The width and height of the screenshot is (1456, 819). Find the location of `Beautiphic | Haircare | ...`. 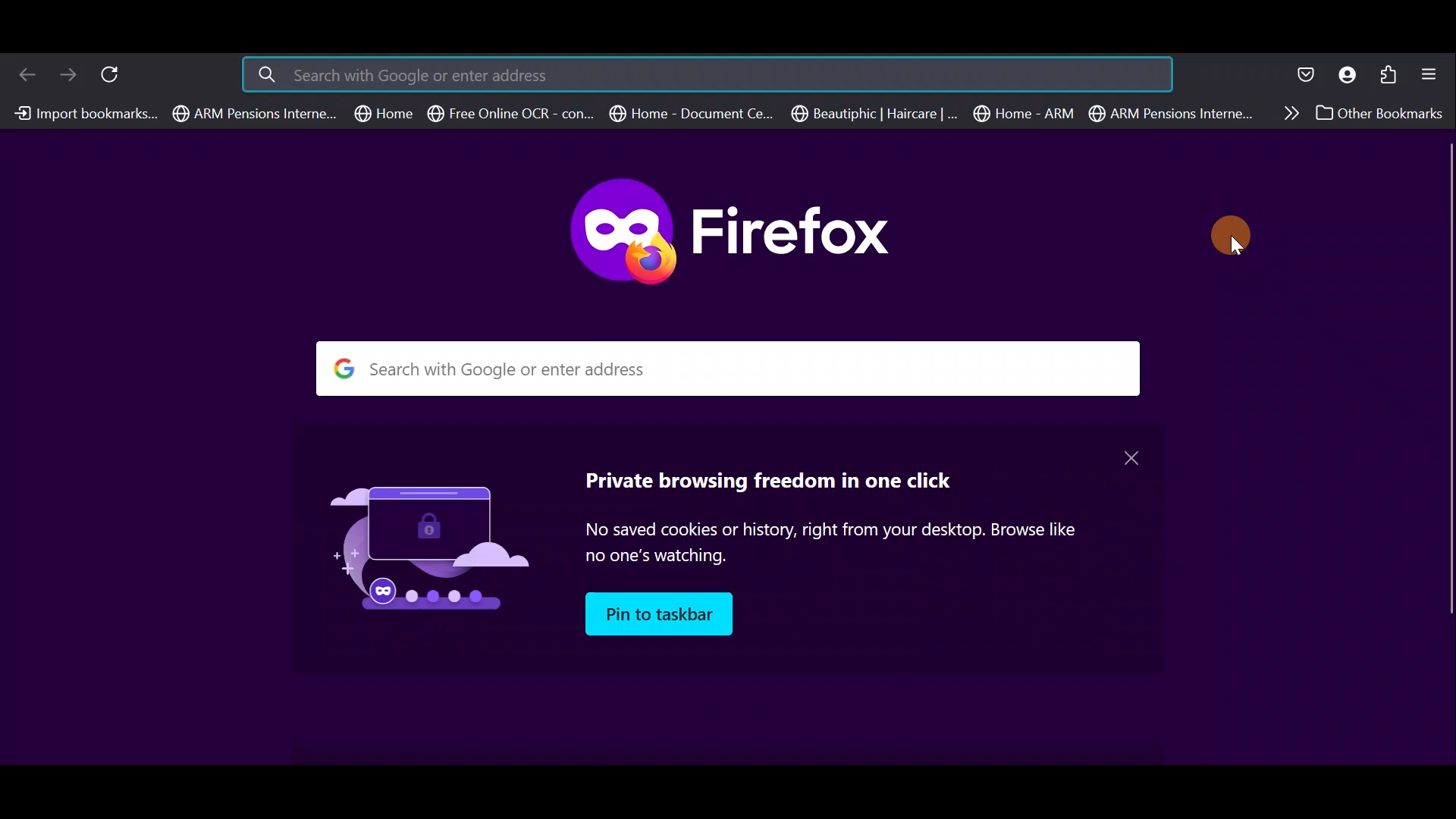

Beautiphic | Haircare | ... is located at coordinates (875, 115).